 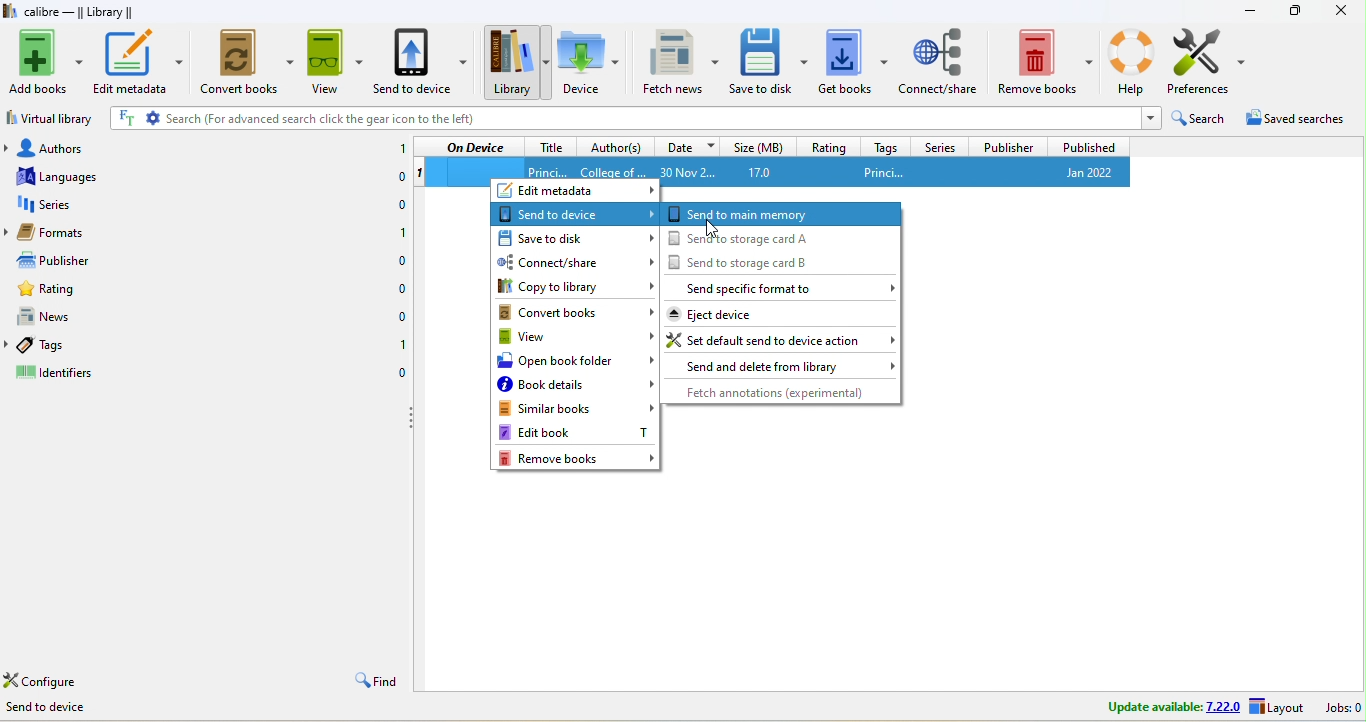 I want to click on cursor, so click(x=712, y=229).